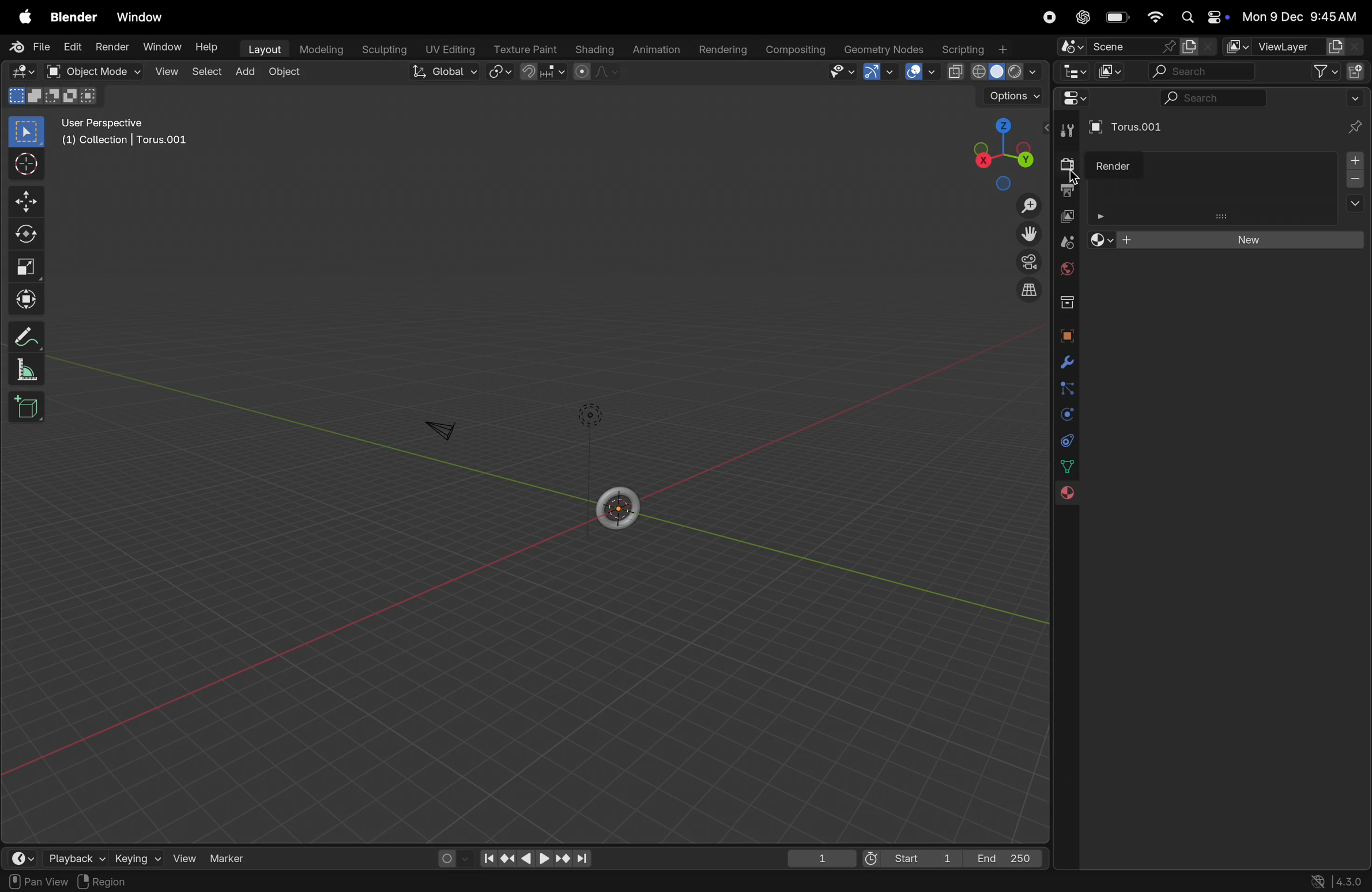 This screenshot has height=892, width=1372. Describe the element at coordinates (797, 50) in the screenshot. I see `composting` at that location.